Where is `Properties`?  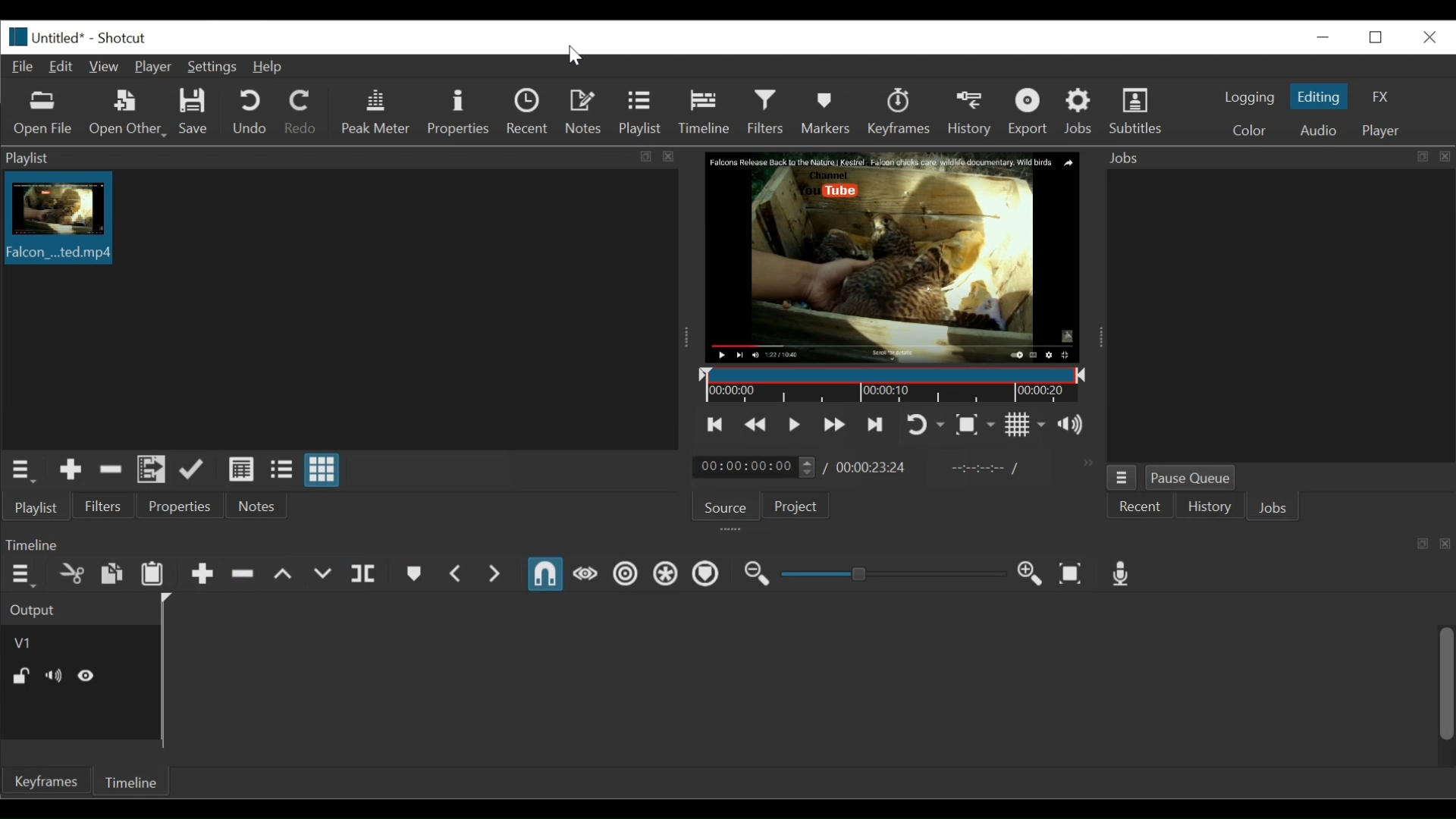 Properties is located at coordinates (458, 112).